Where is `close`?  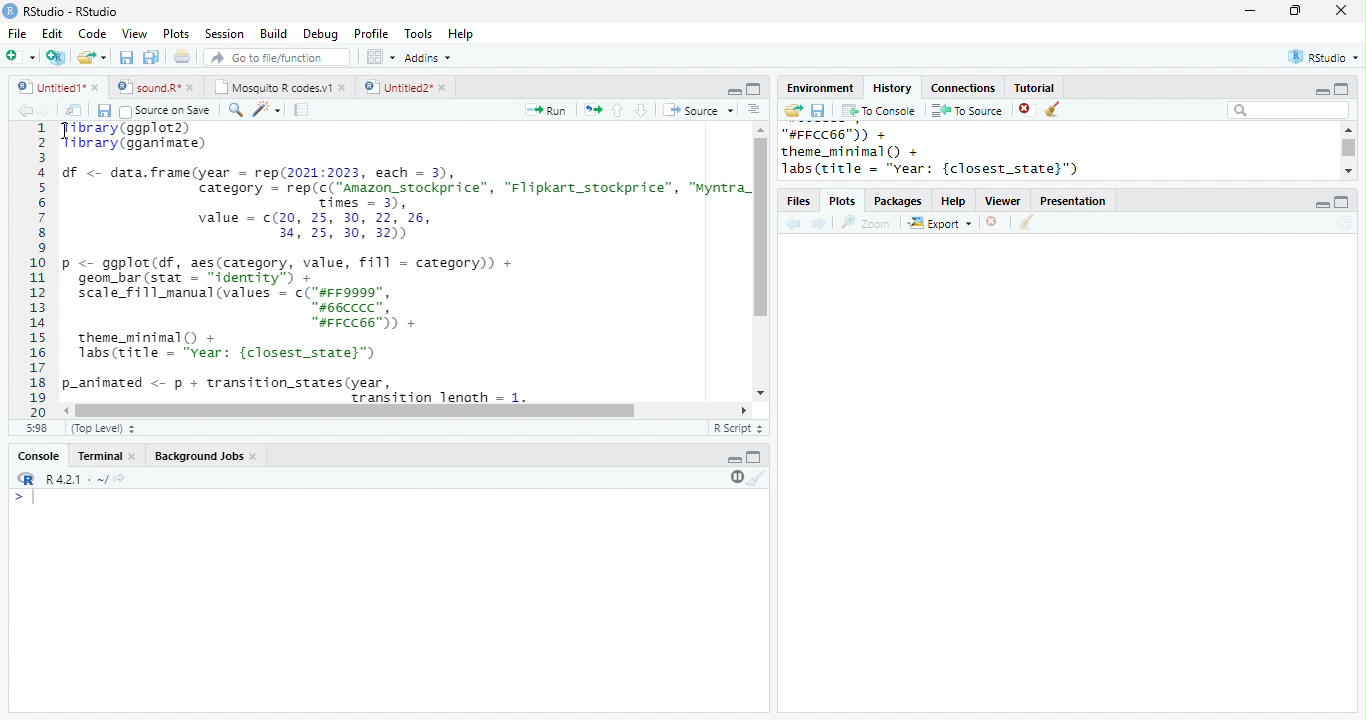
close is located at coordinates (1341, 10).